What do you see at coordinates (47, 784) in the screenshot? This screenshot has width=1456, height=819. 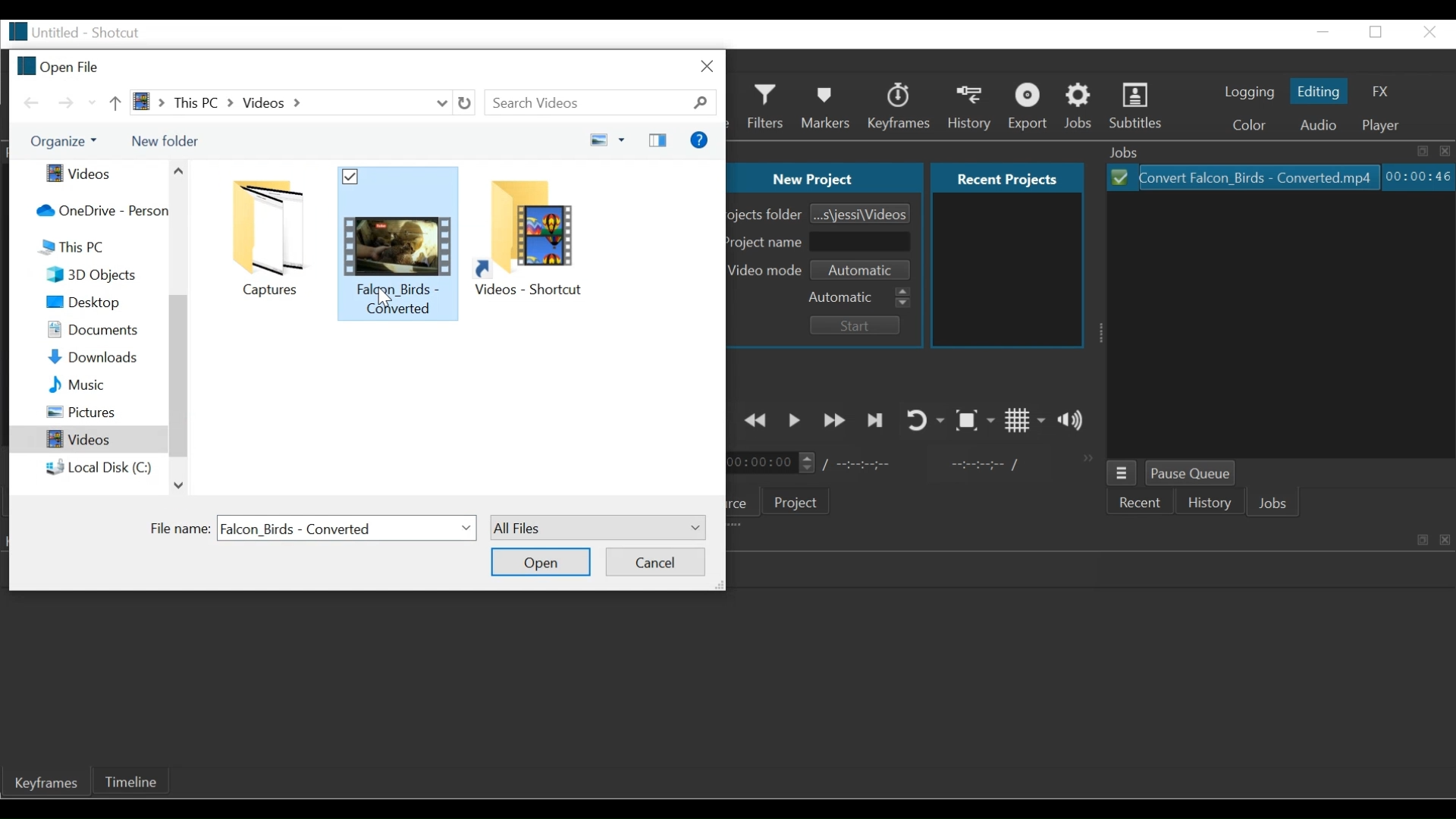 I see `Keyframe Tab` at bounding box center [47, 784].